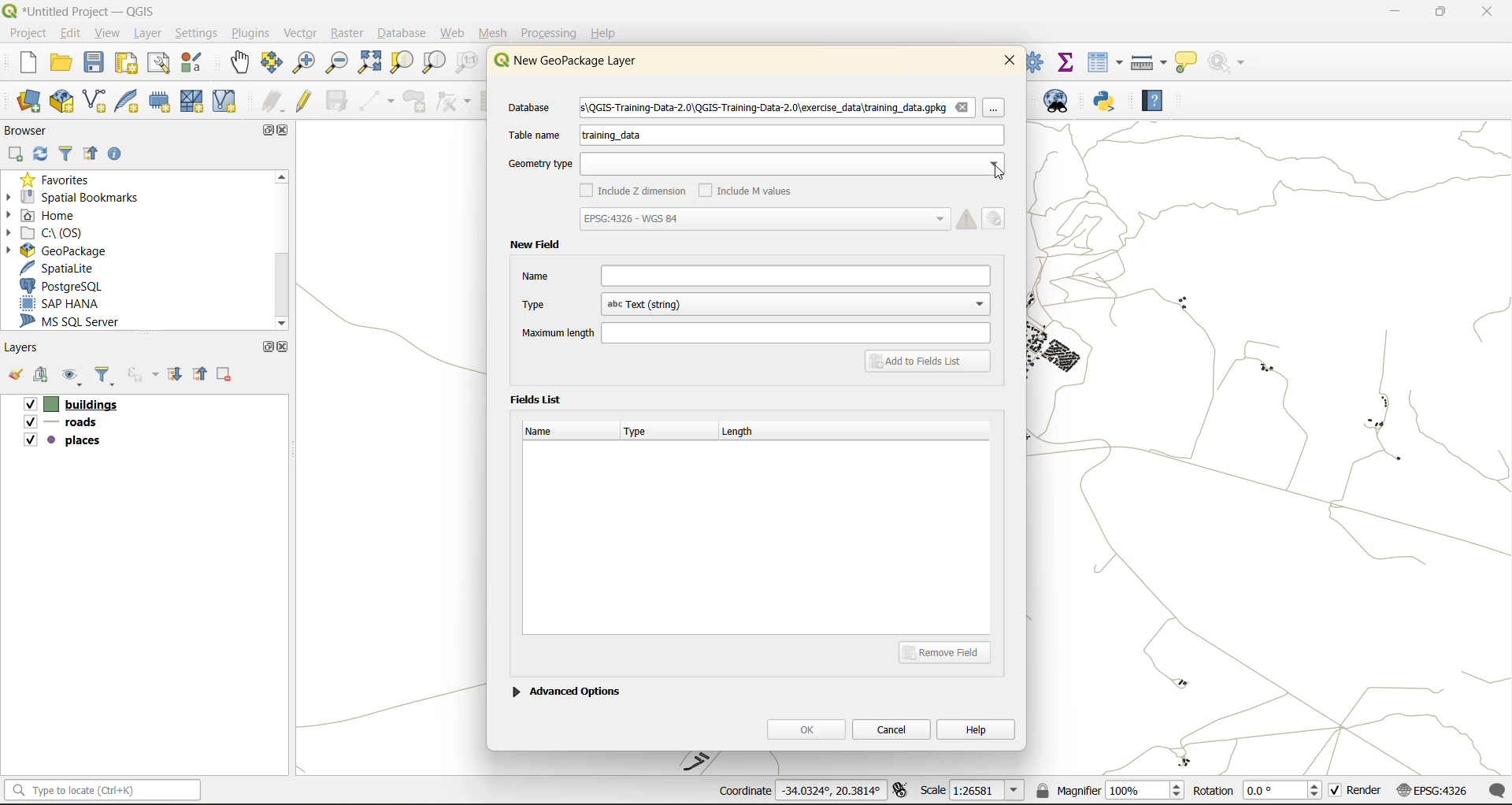  I want to click on name, so click(755, 276).